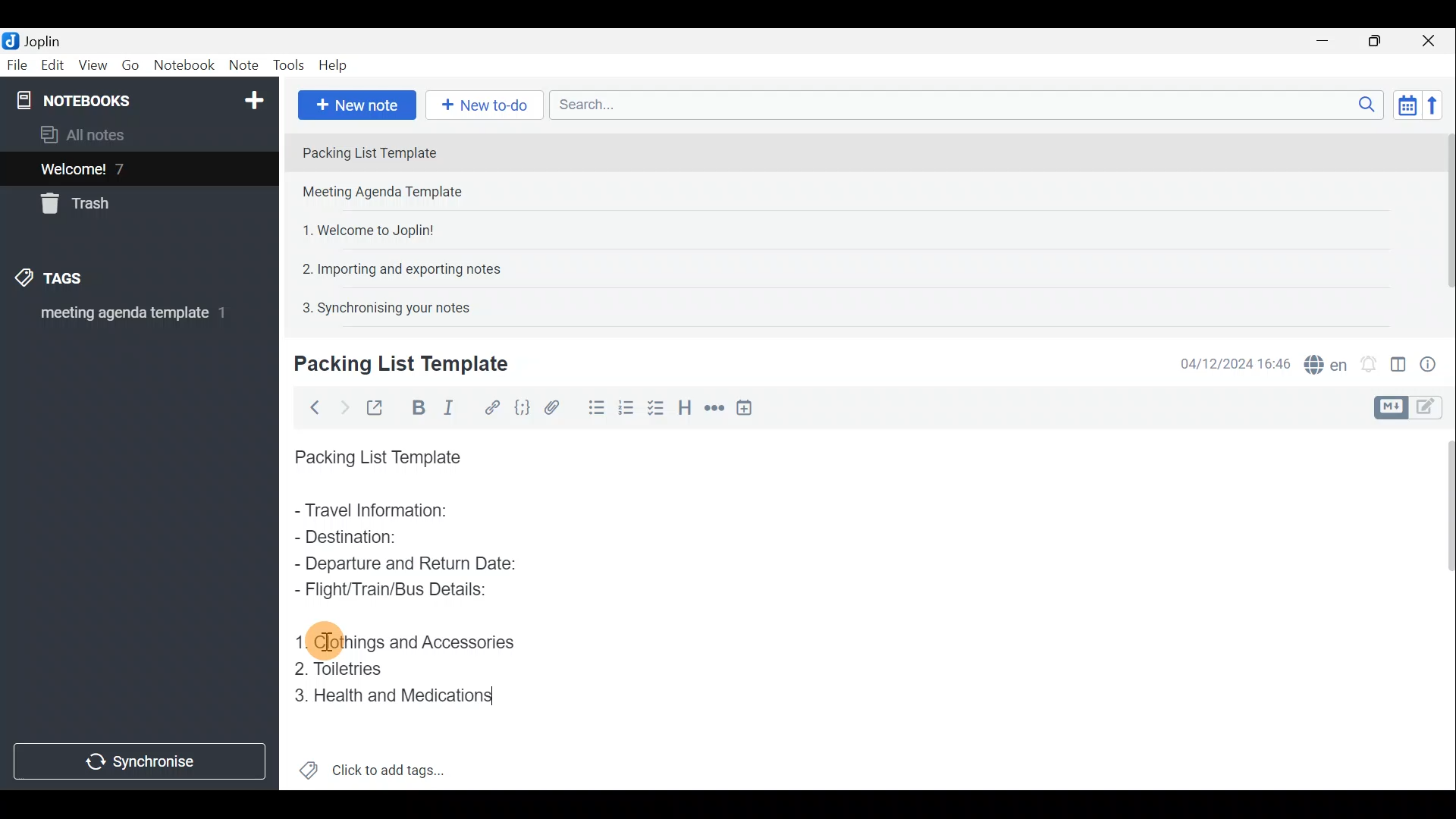 The image size is (1456, 819). Describe the element at coordinates (184, 67) in the screenshot. I see `Notebook` at that location.